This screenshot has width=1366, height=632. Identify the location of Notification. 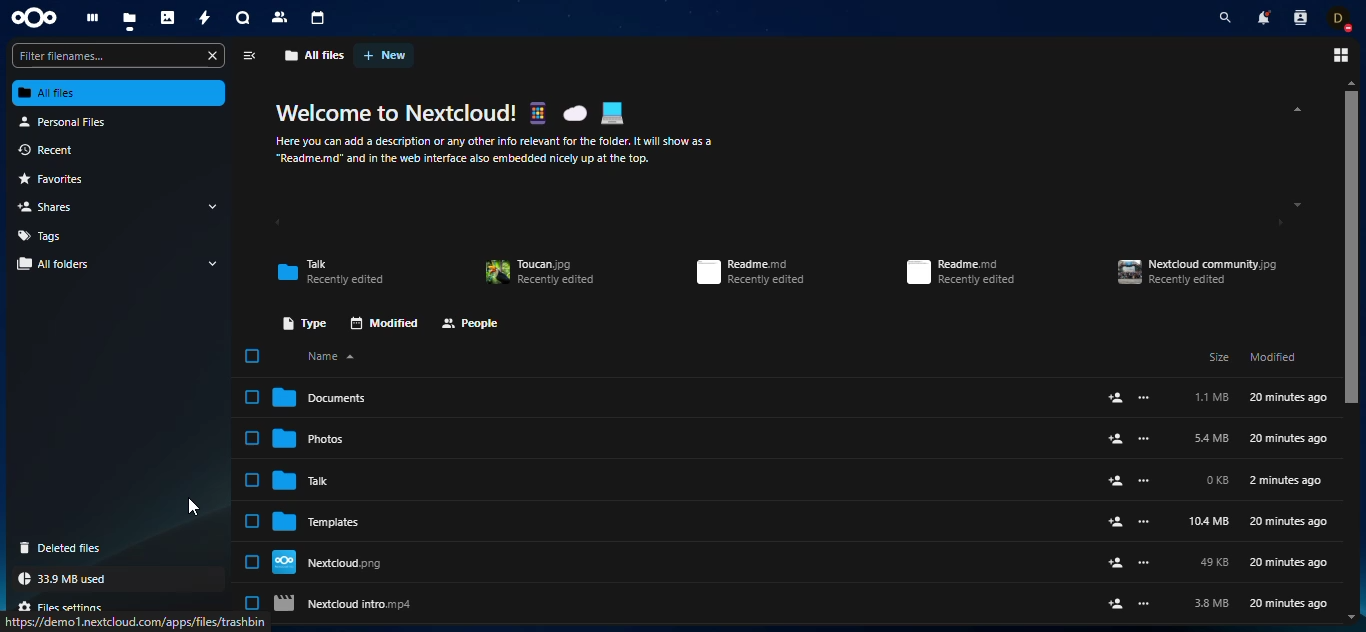
(1267, 18).